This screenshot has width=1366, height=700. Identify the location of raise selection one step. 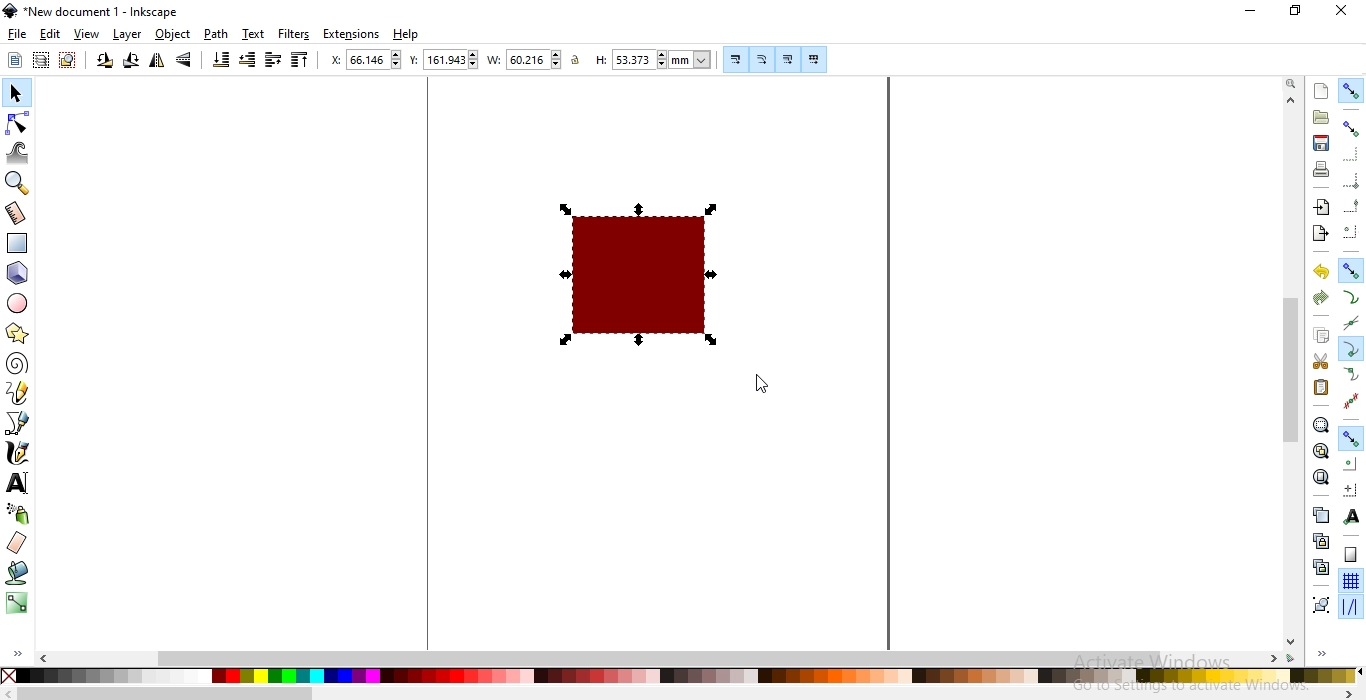
(273, 60).